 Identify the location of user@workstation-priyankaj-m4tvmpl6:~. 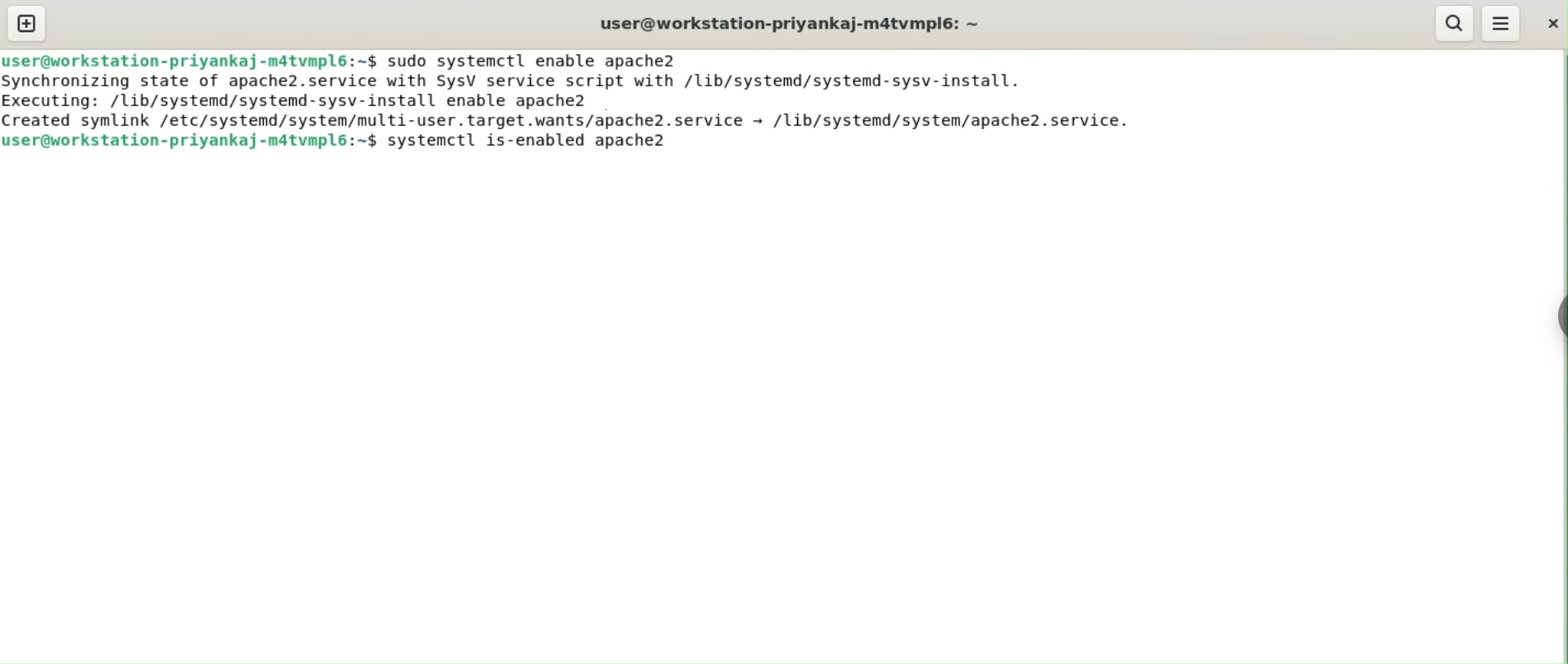
(786, 23).